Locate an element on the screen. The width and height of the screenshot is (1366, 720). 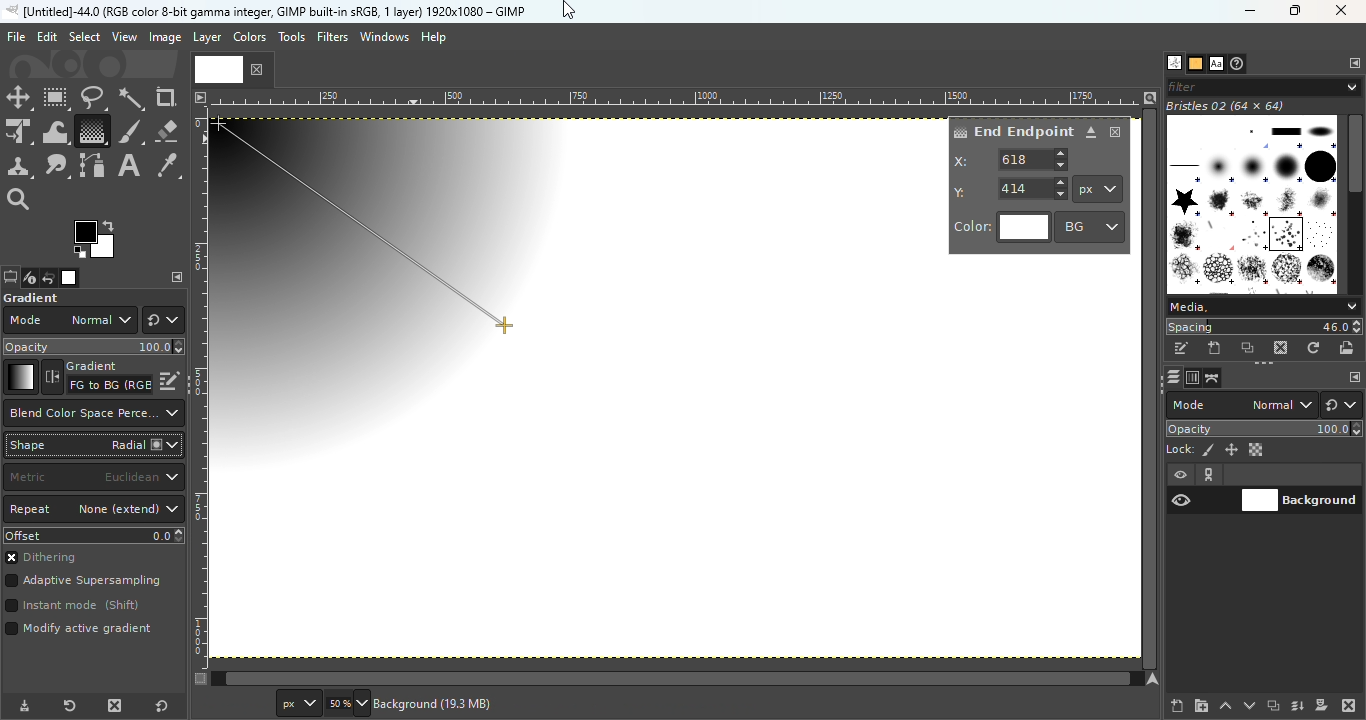
Windows is located at coordinates (384, 37).